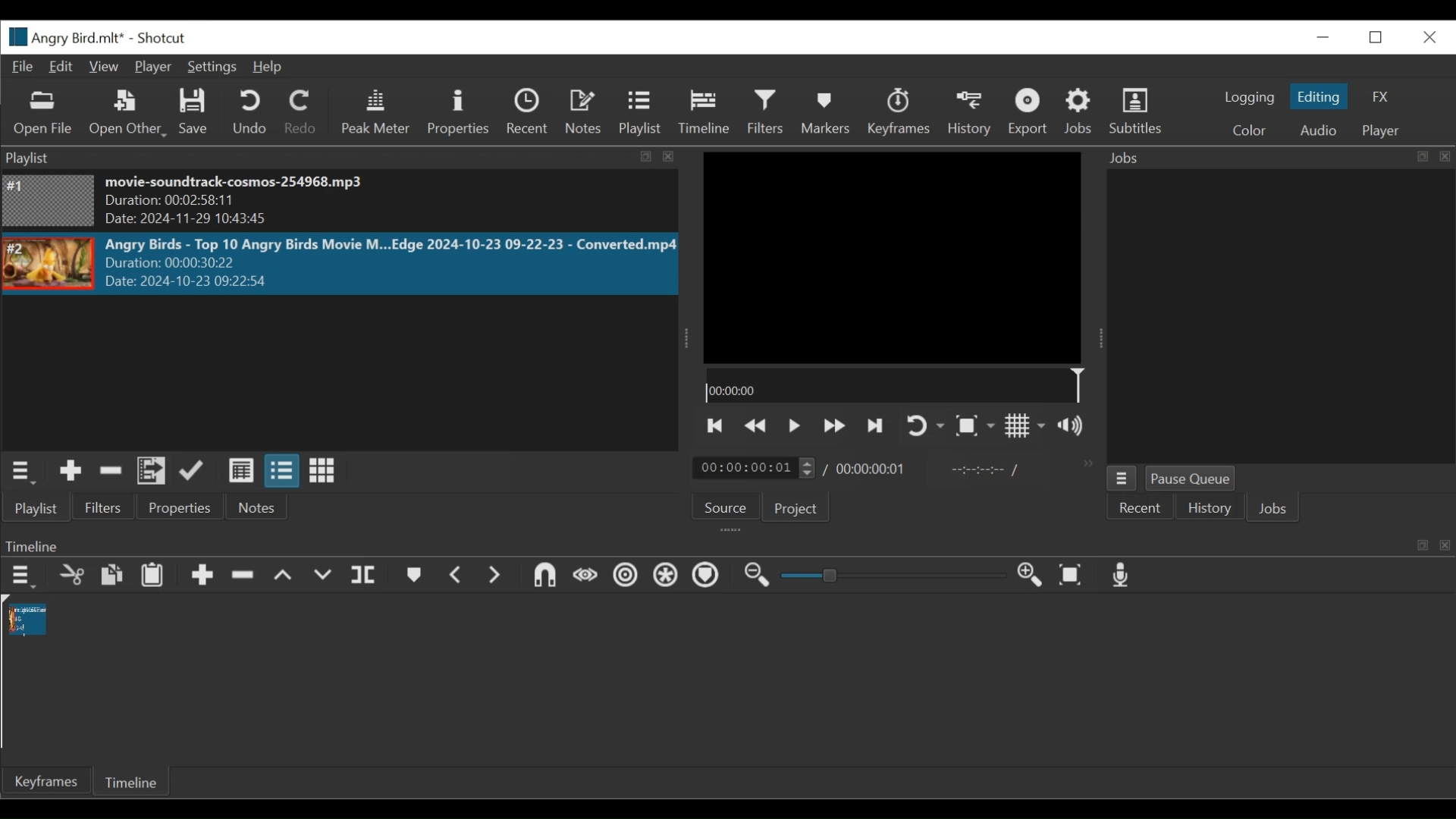 The height and width of the screenshot is (819, 1456). What do you see at coordinates (49, 200) in the screenshot?
I see `Image` at bounding box center [49, 200].